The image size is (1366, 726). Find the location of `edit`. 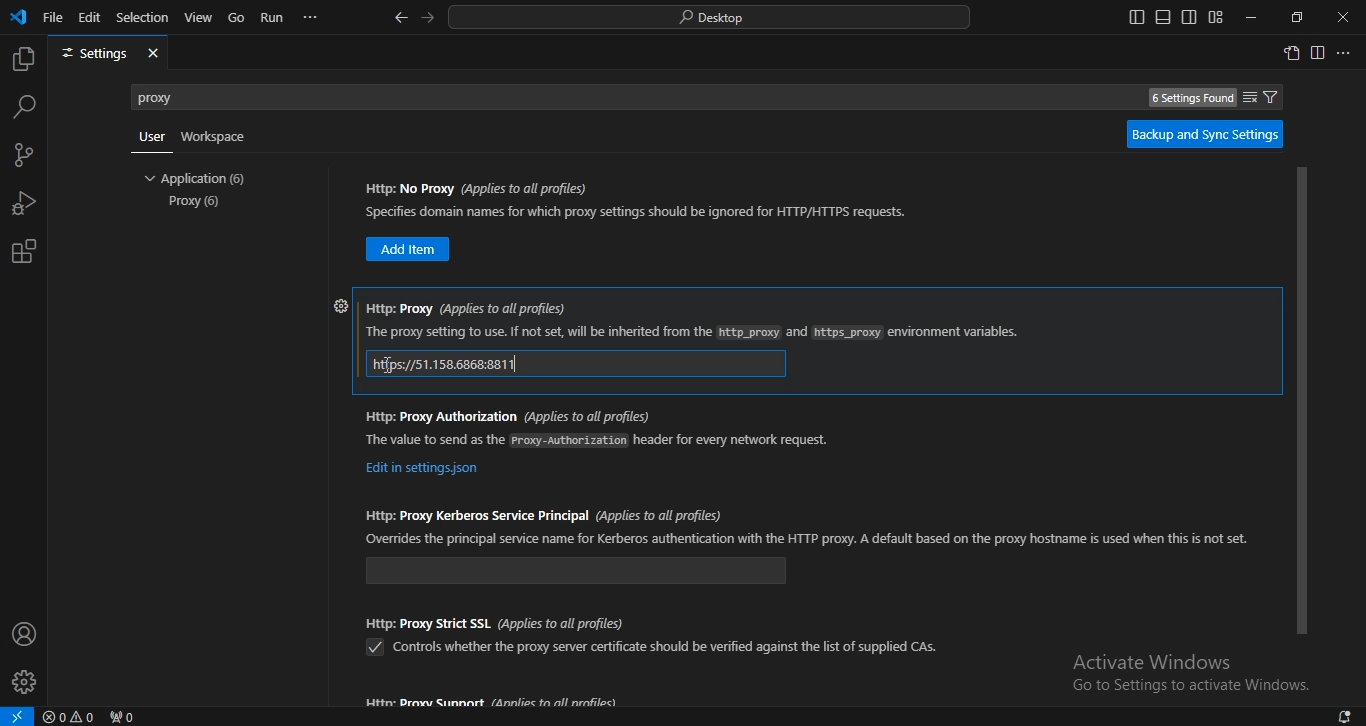

edit is located at coordinates (90, 17).